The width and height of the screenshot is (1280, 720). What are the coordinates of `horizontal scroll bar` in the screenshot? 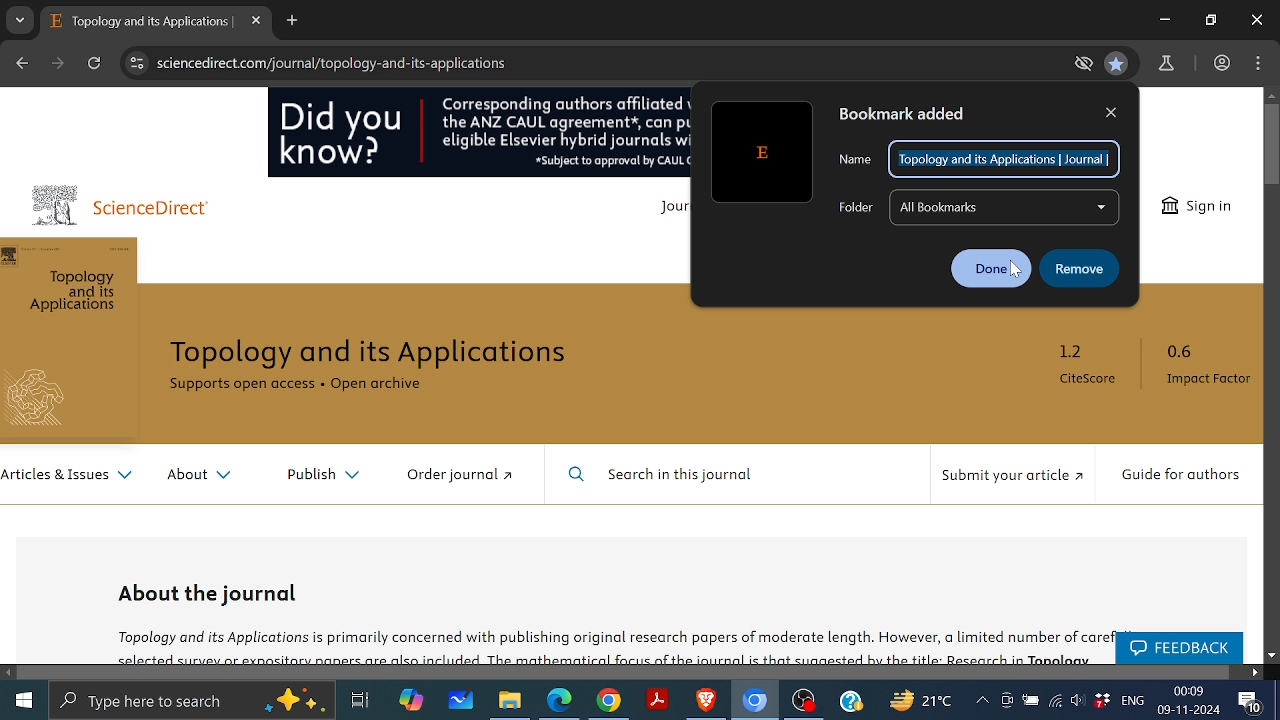 It's located at (626, 672).